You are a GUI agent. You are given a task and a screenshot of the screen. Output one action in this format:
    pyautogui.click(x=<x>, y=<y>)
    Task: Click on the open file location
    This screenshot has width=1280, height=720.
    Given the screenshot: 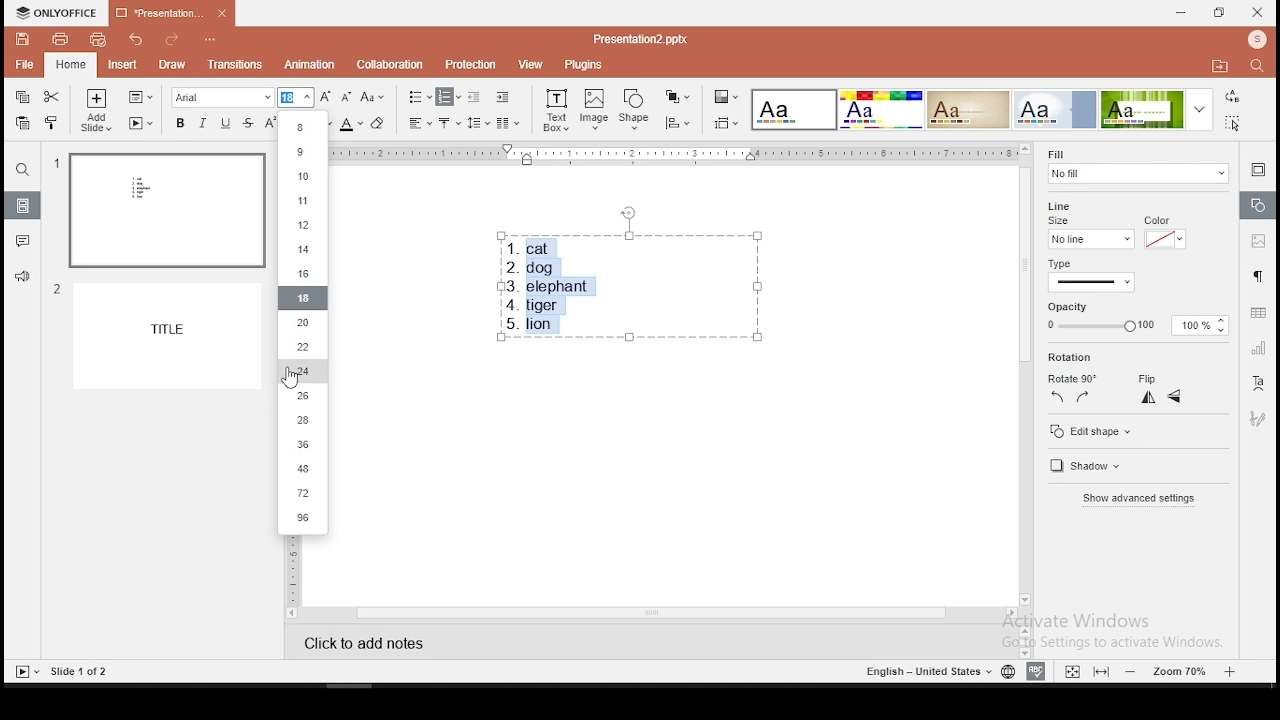 What is the action you would take?
    pyautogui.click(x=1217, y=66)
    